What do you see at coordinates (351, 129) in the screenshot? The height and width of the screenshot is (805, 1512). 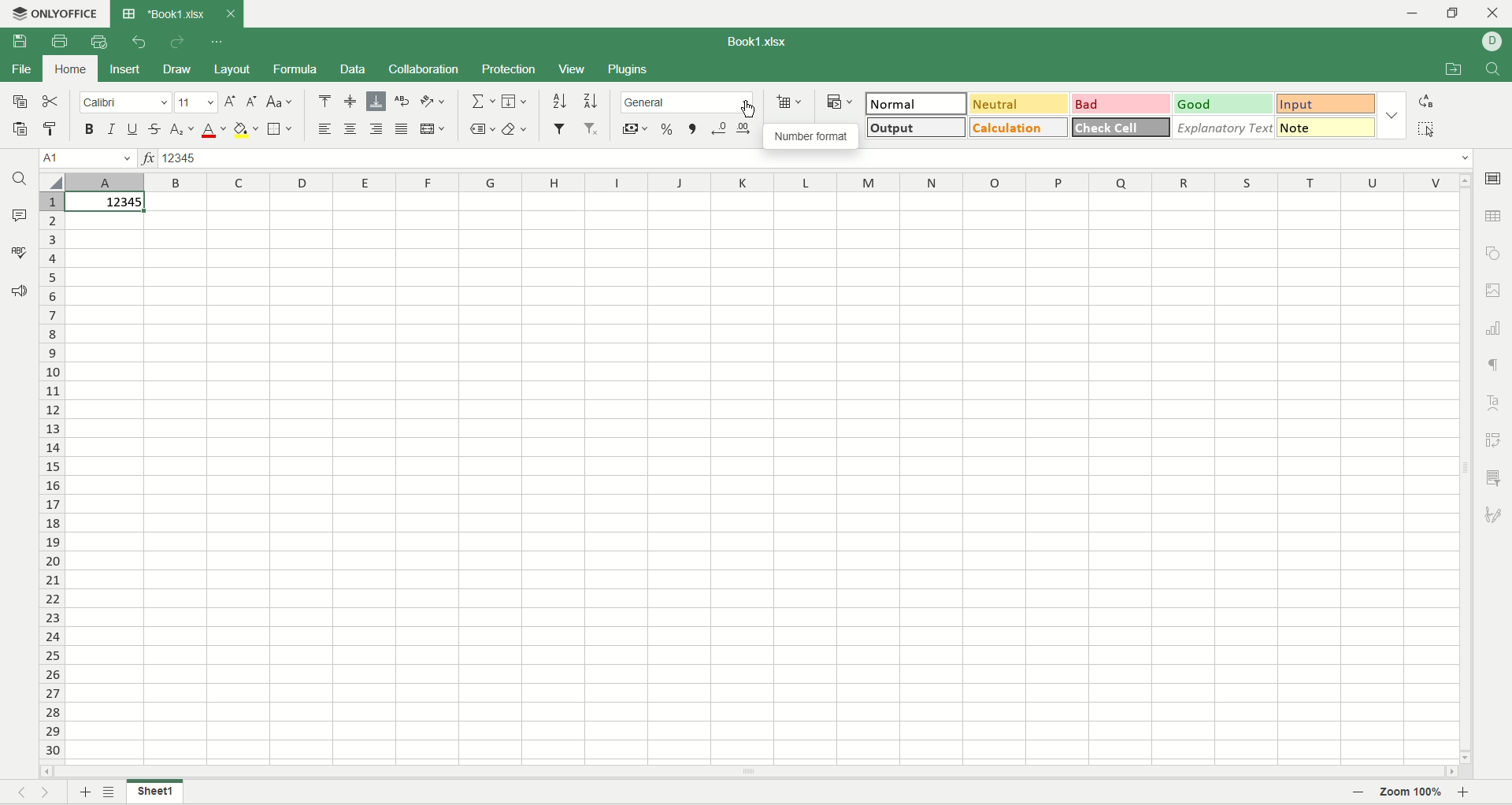 I see `align center` at bounding box center [351, 129].